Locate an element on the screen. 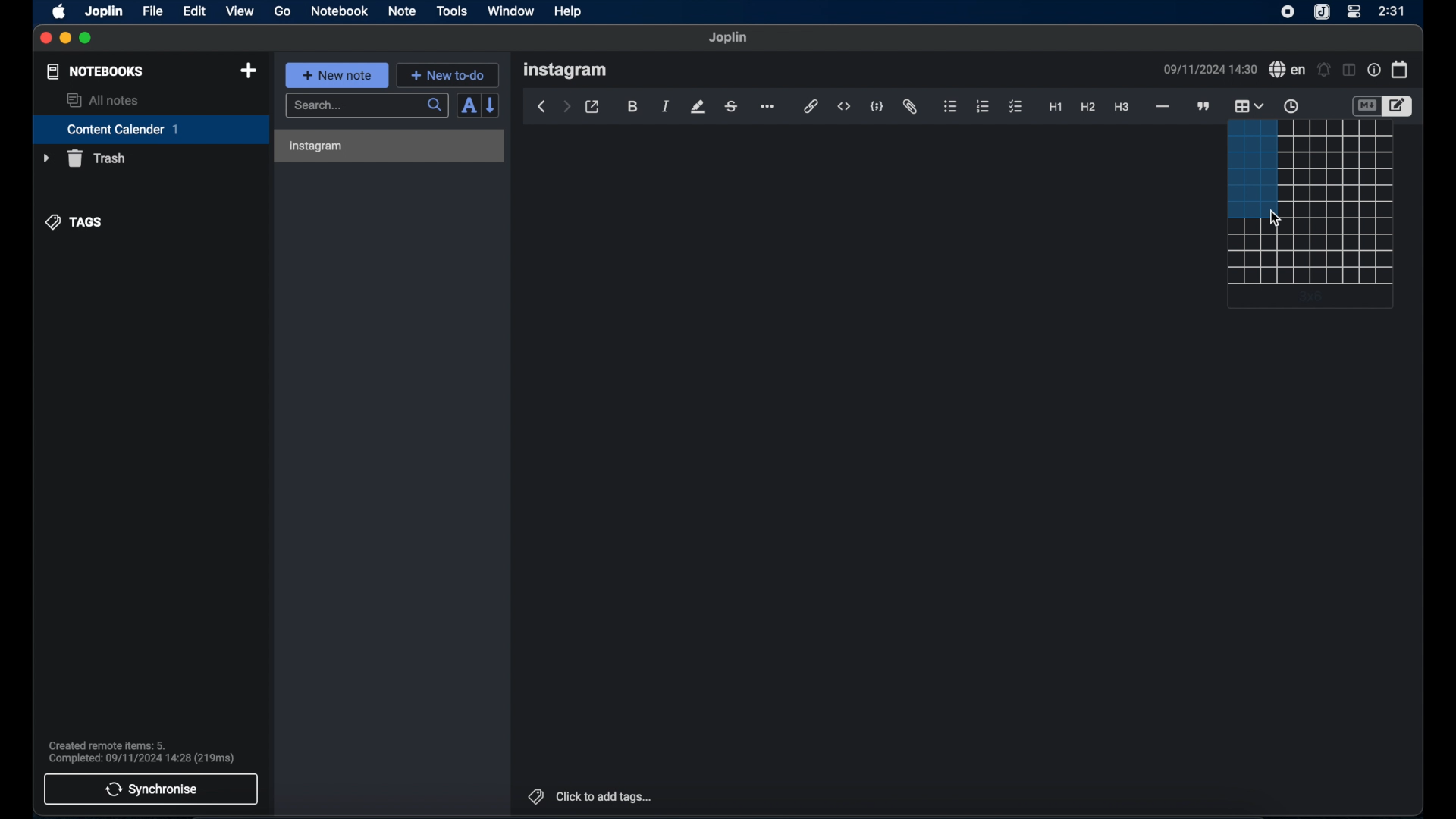 The image size is (1456, 819). notebooks is located at coordinates (96, 71).